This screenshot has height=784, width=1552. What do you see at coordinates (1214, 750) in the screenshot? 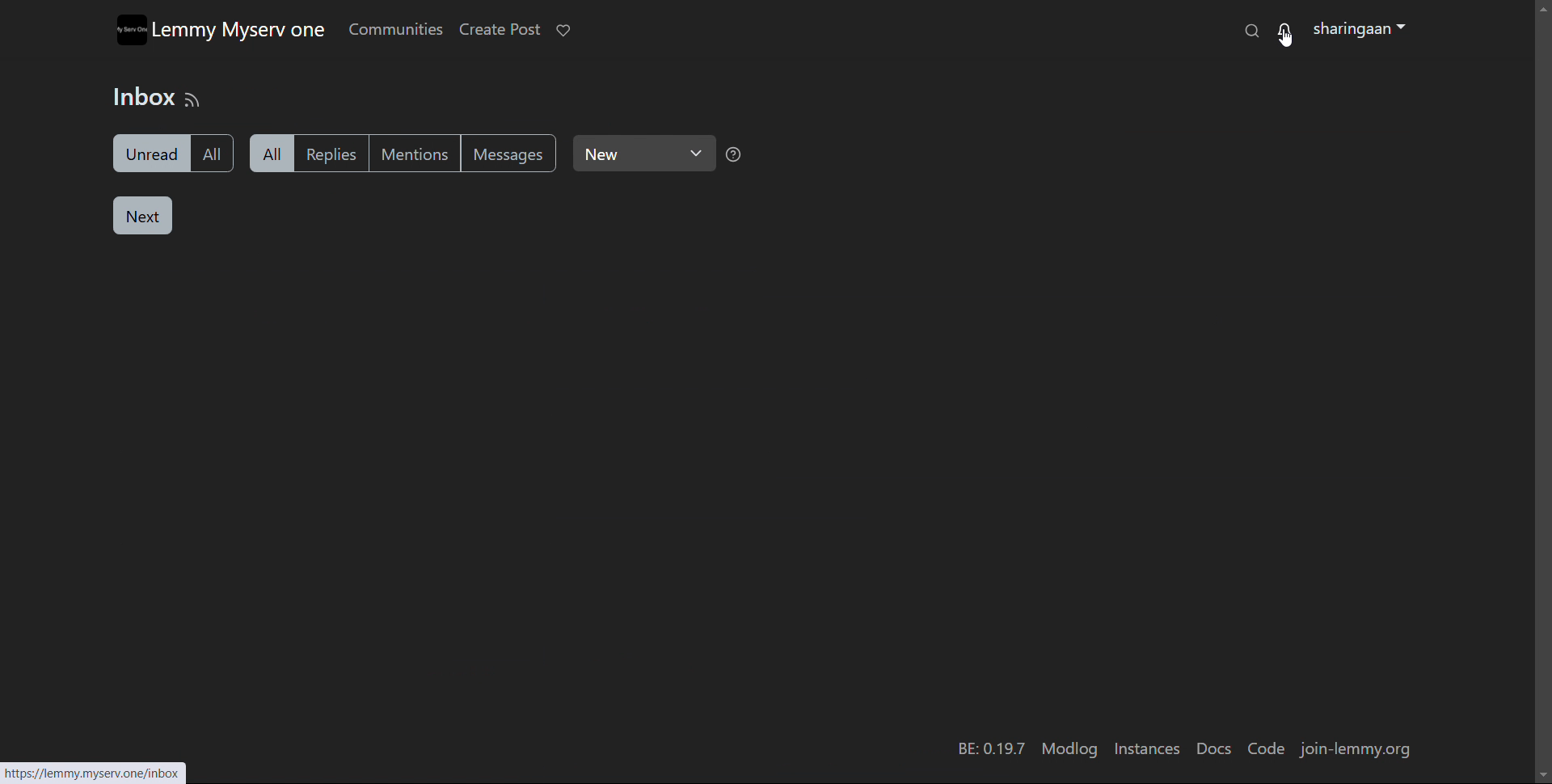
I see `docs` at bounding box center [1214, 750].